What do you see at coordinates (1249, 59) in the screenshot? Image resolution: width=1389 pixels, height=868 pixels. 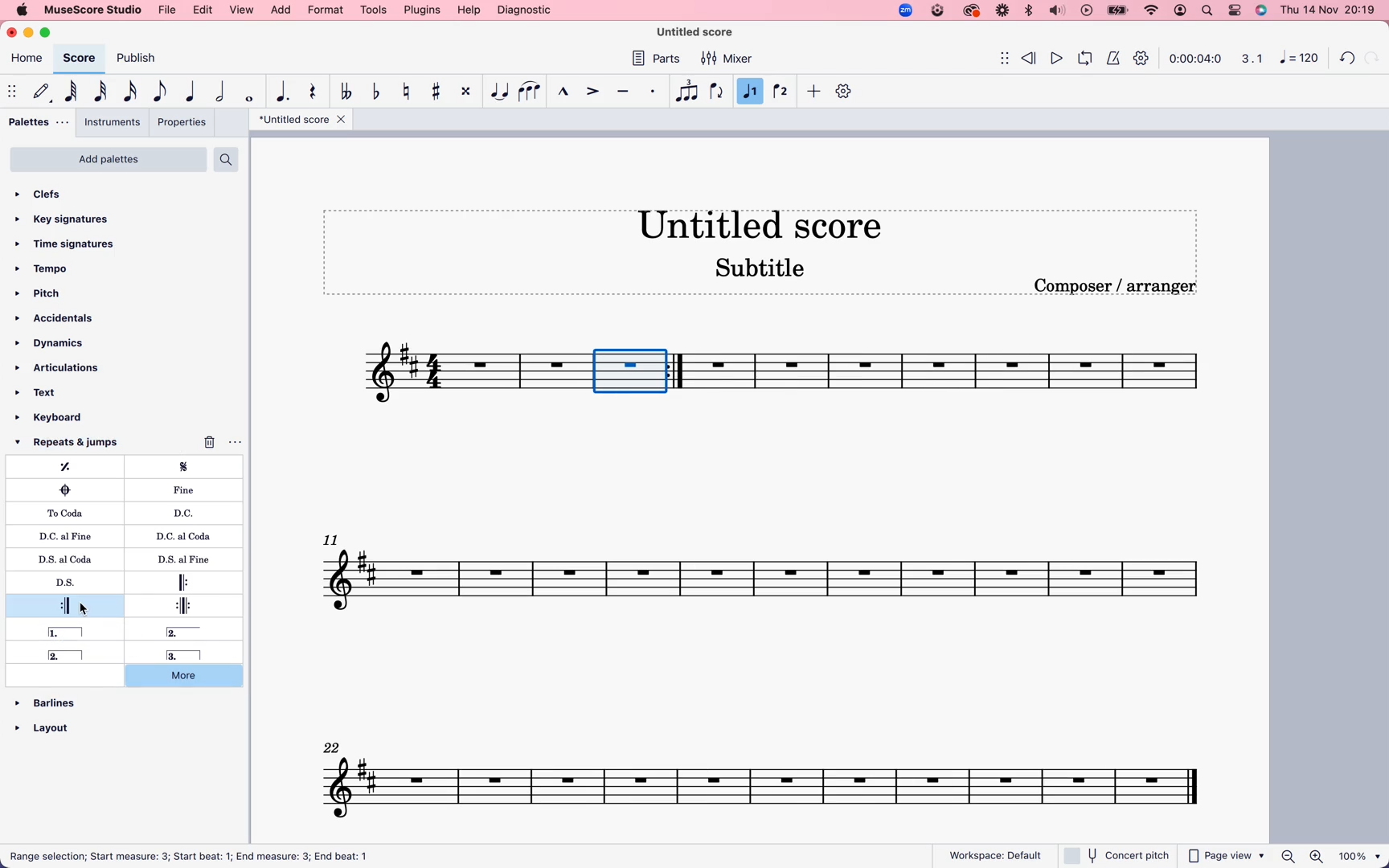 I see `scale` at bounding box center [1249, 59].